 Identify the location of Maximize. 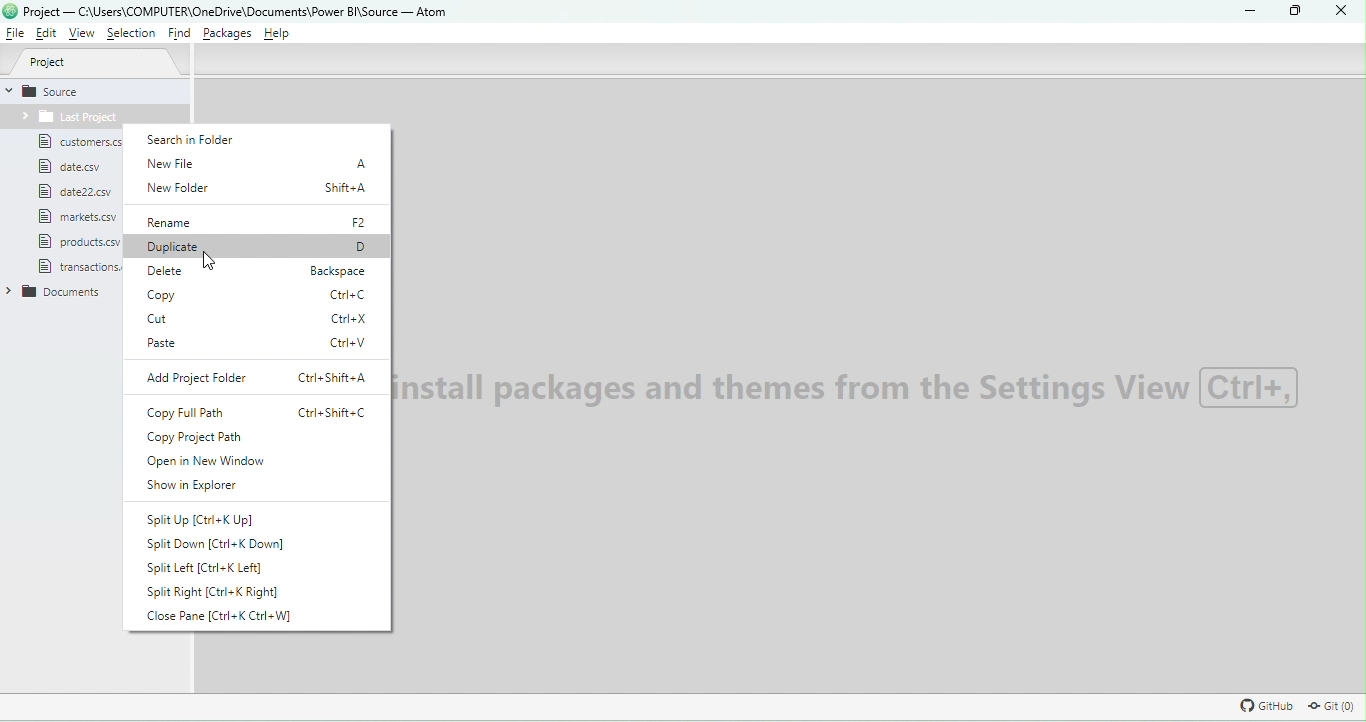
(1291, 13).